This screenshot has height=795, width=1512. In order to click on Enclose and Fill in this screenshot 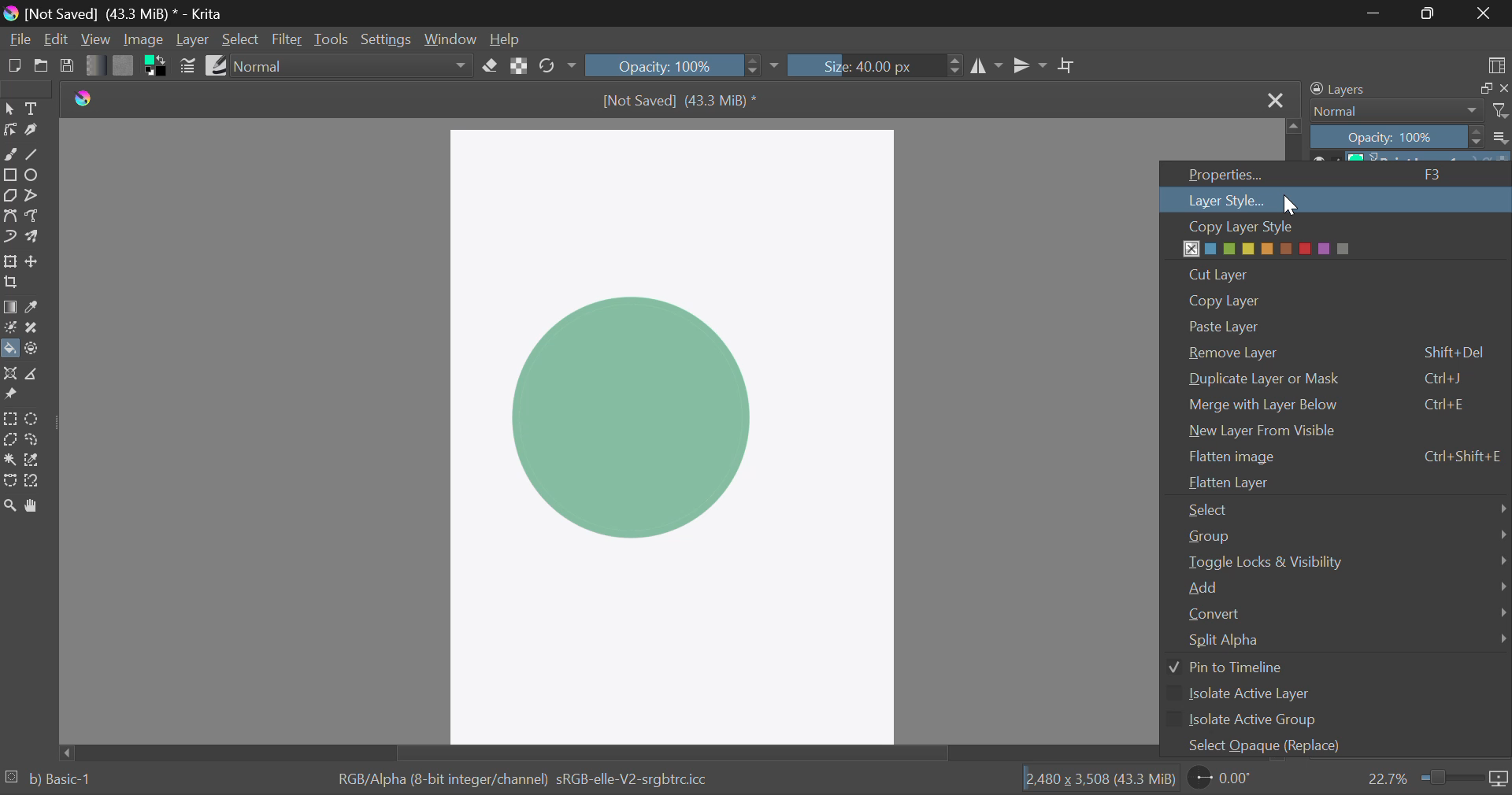, I will do `click(34, 349)`.